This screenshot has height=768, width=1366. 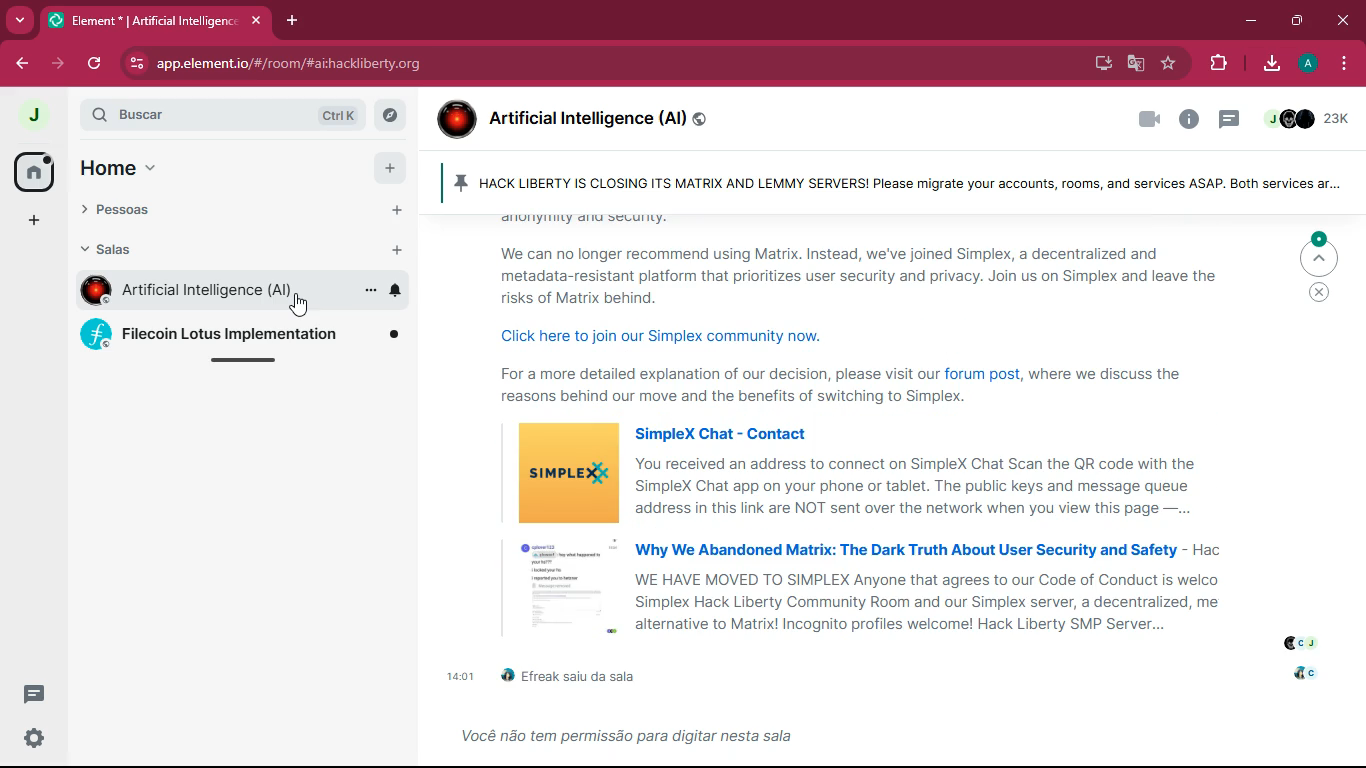 What do you see at coordinates (1345, 20) in the screenshot?
I see `close` at bounding box center [1345, 20].